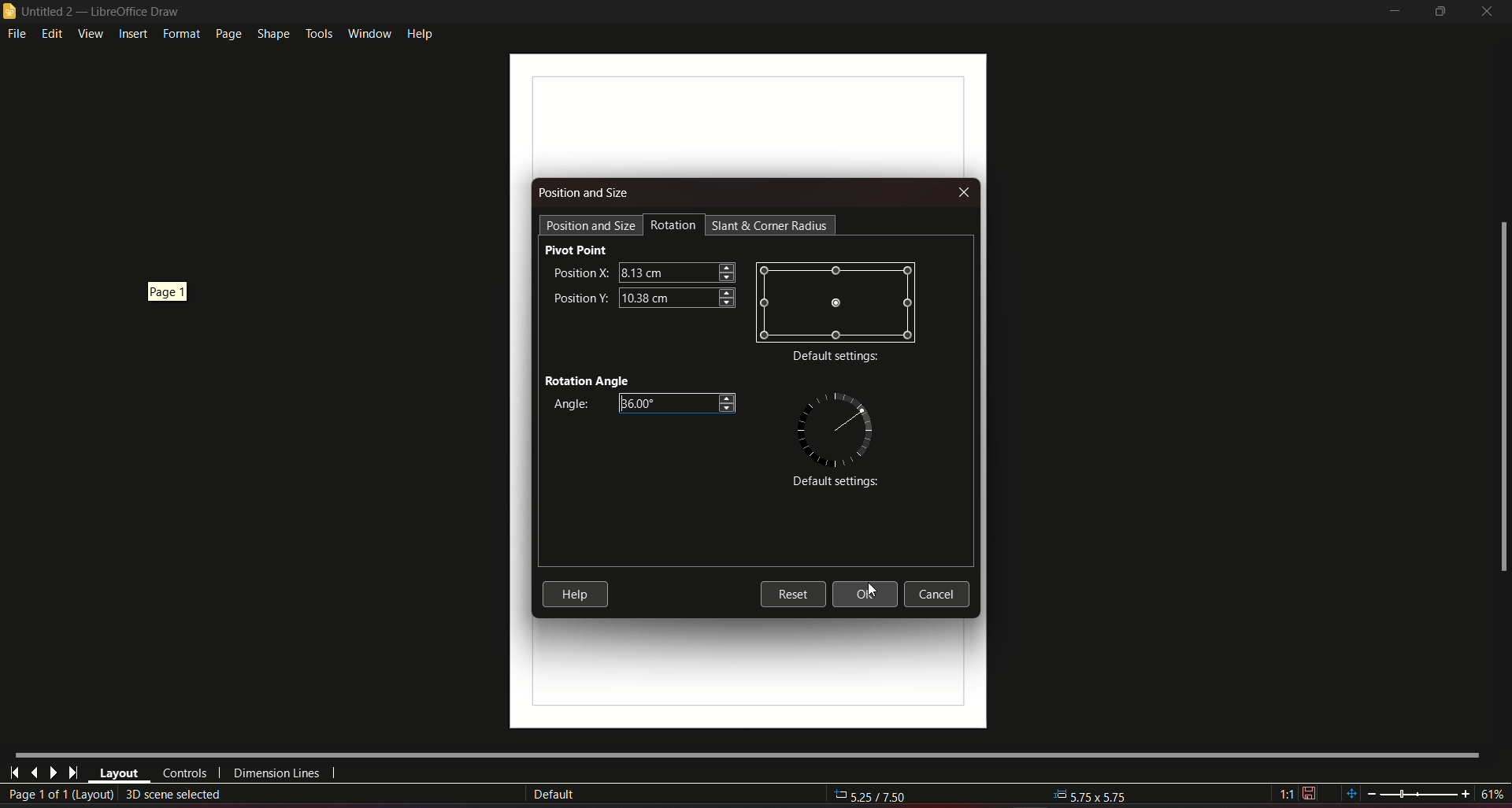  What do you see at coordinates (868, 591) in the screenshot?
I see `Cursor` at bounding box center [868, 591].